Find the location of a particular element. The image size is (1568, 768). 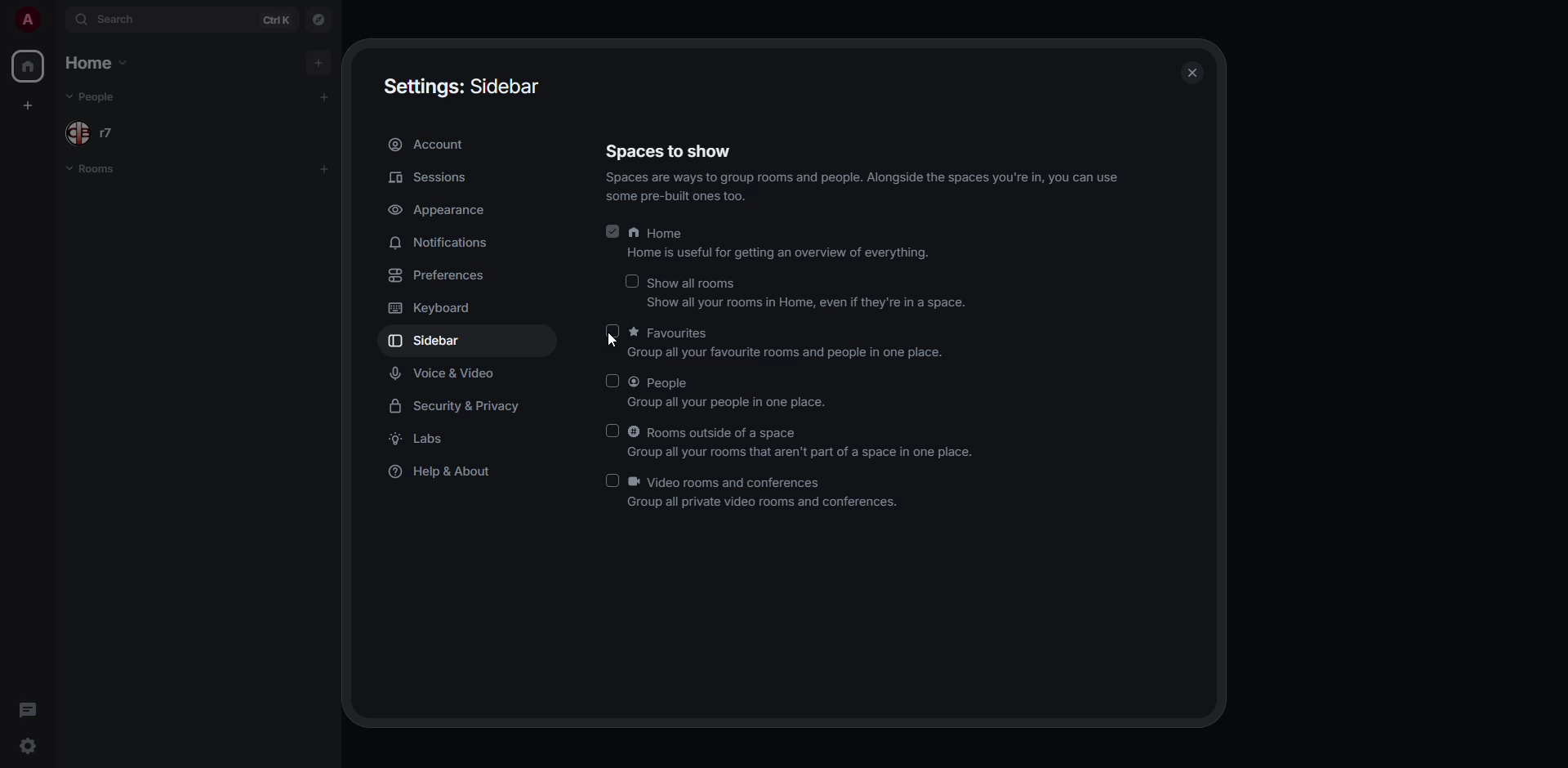

Settings: Sidebar is located at coordinates (462, 86).